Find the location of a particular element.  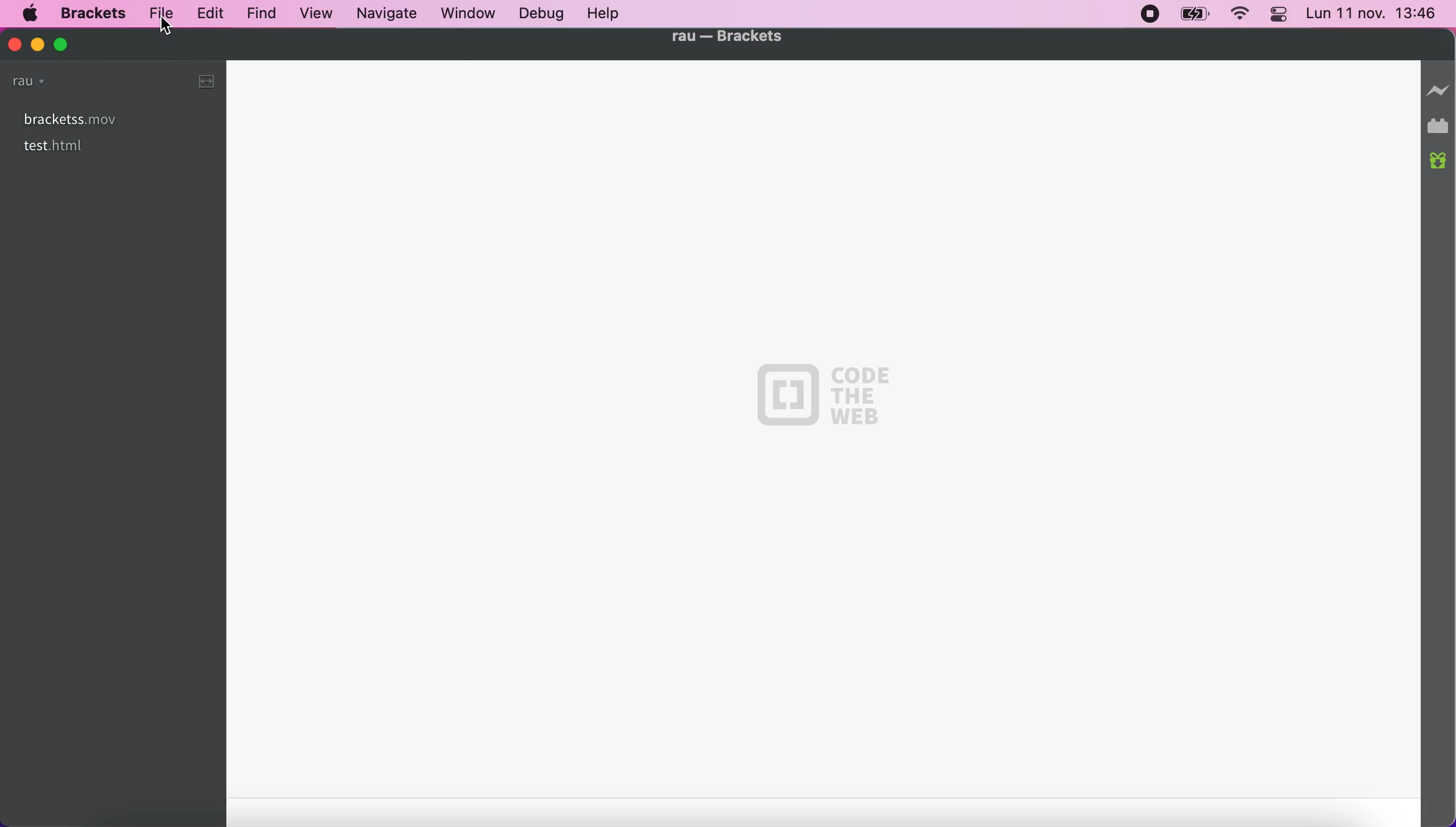

disconnect live preview is located at coordinates (1439, 90).